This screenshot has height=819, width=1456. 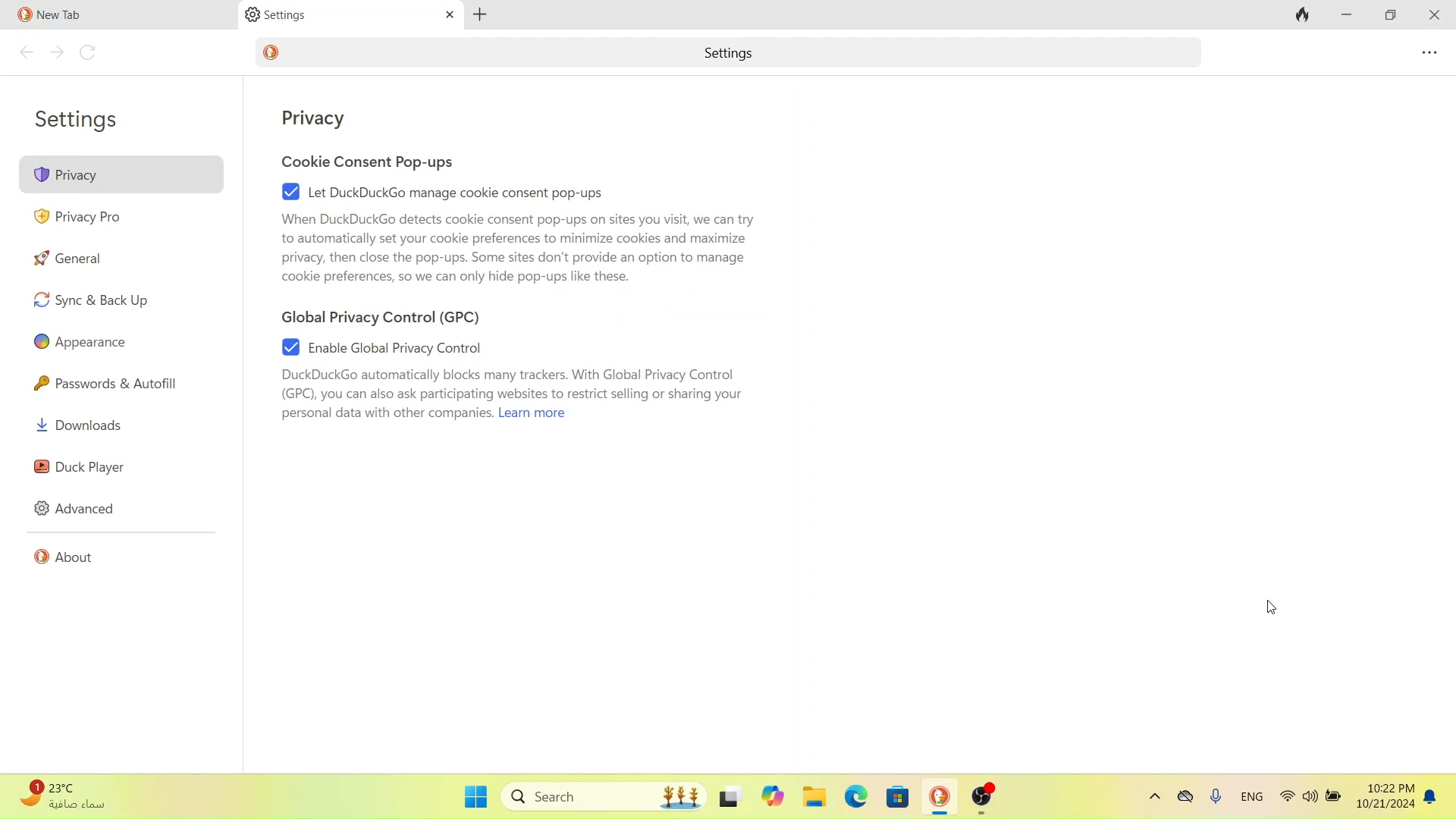 I want to click on options, so click(x=1429, y=52).